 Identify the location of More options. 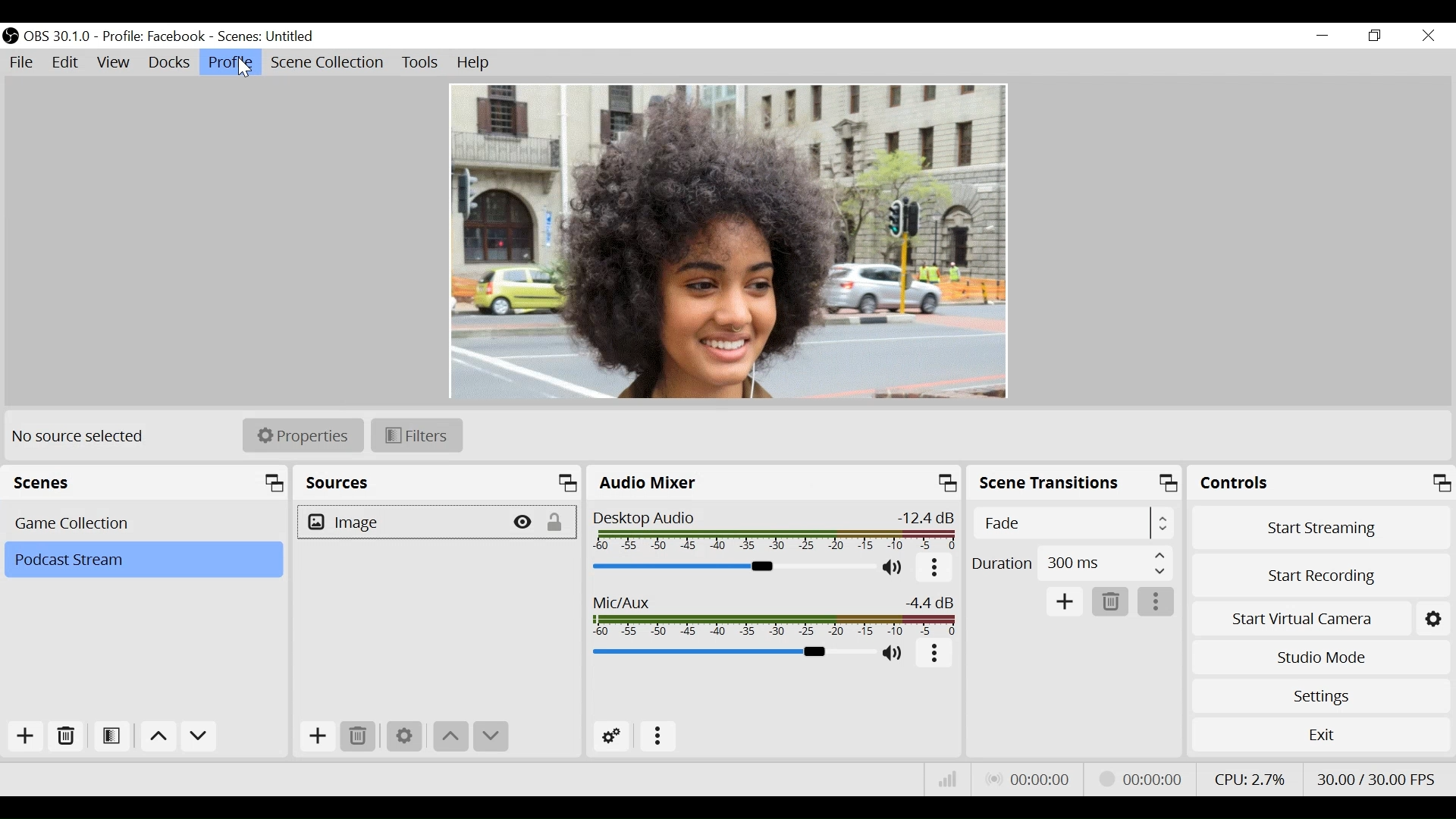
(936, 655).